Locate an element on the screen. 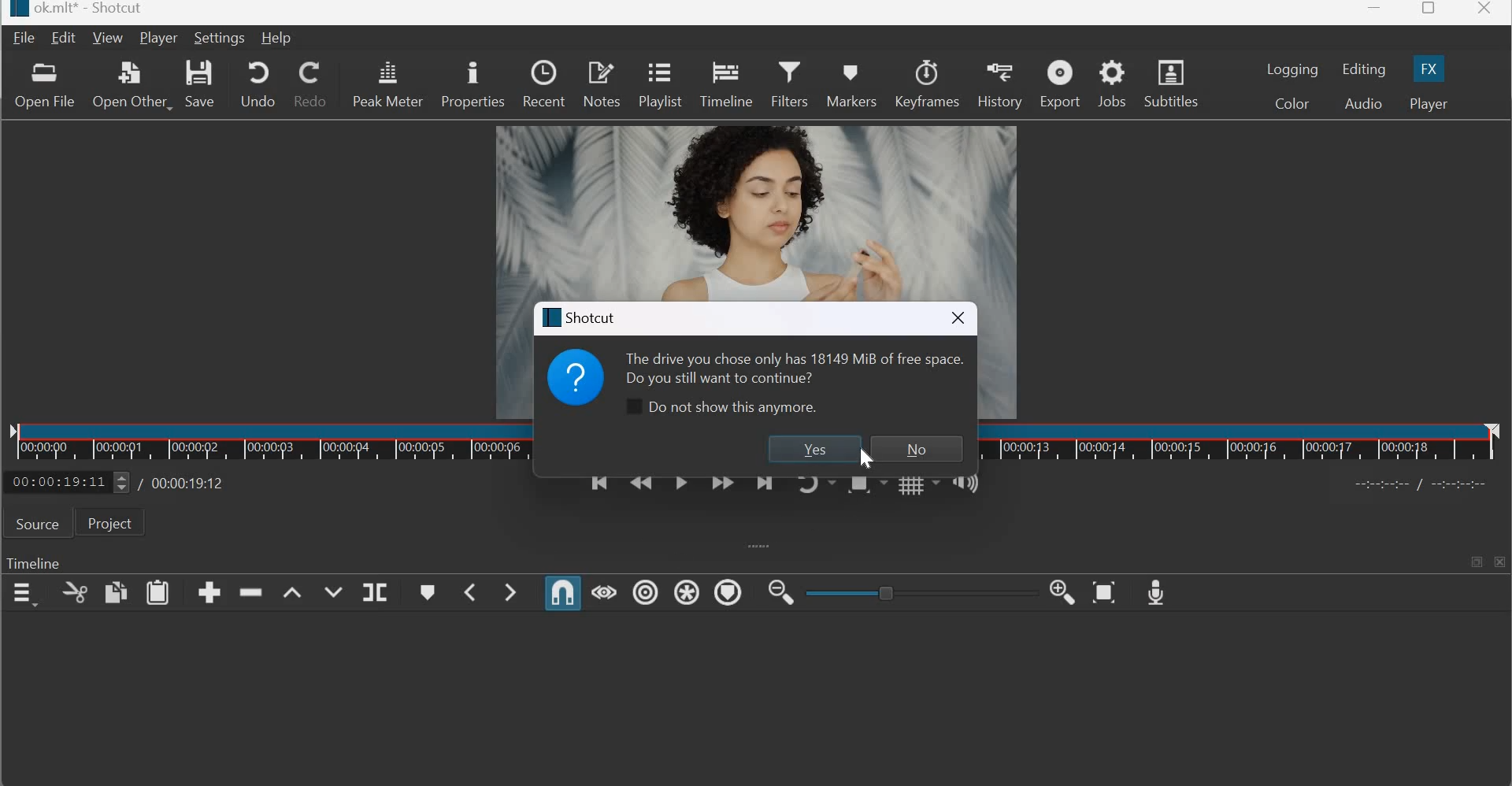  Yes is located at coordinates (810, 449).